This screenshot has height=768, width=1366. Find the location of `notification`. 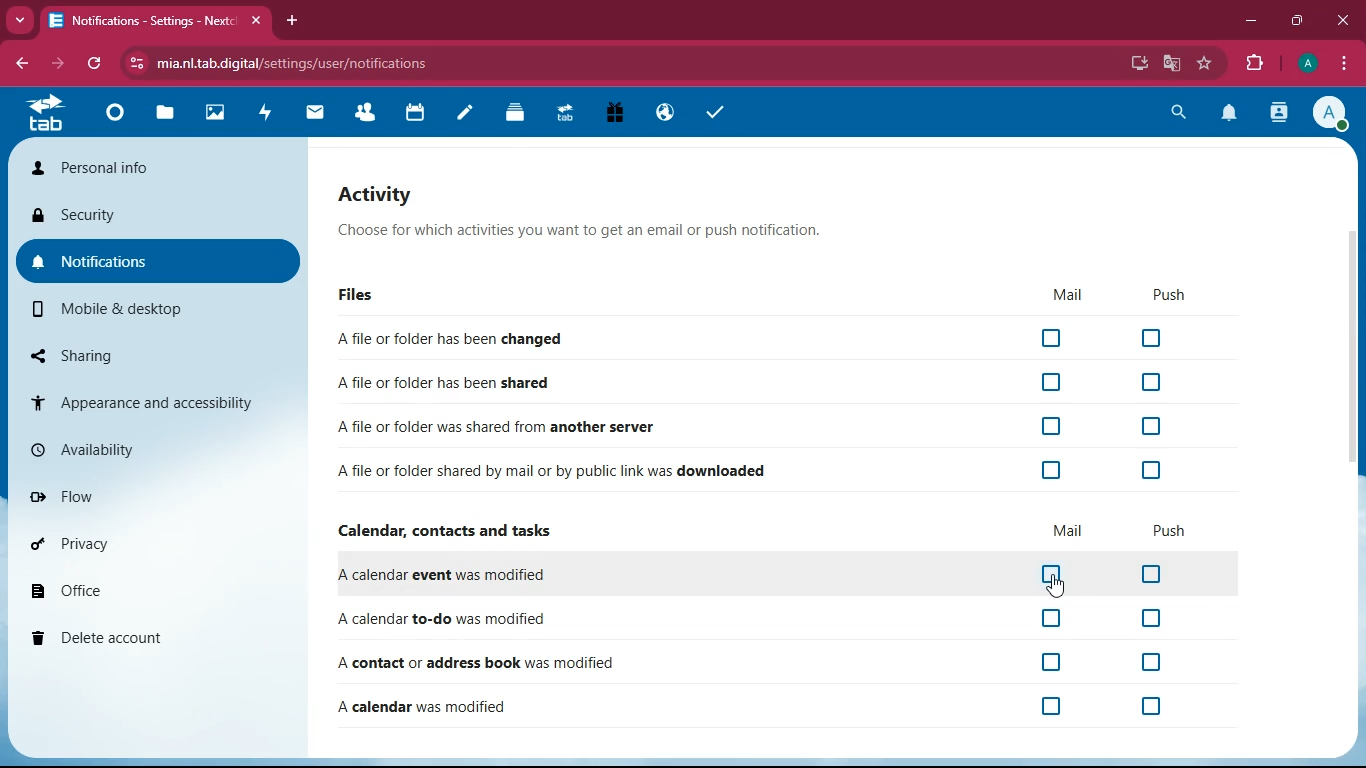

notification is located at coordinates (1230, 114).